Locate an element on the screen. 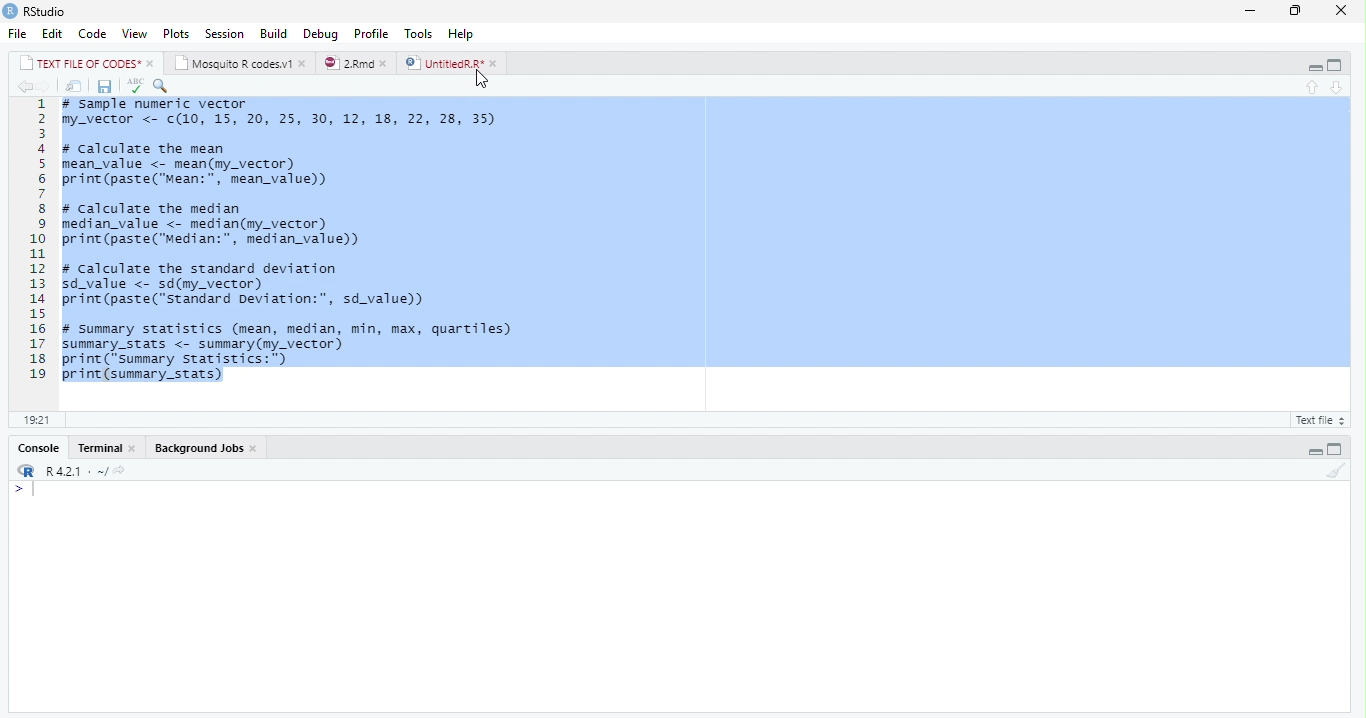  TEXT FILE OF CODES is located at coordinates (82, 65).